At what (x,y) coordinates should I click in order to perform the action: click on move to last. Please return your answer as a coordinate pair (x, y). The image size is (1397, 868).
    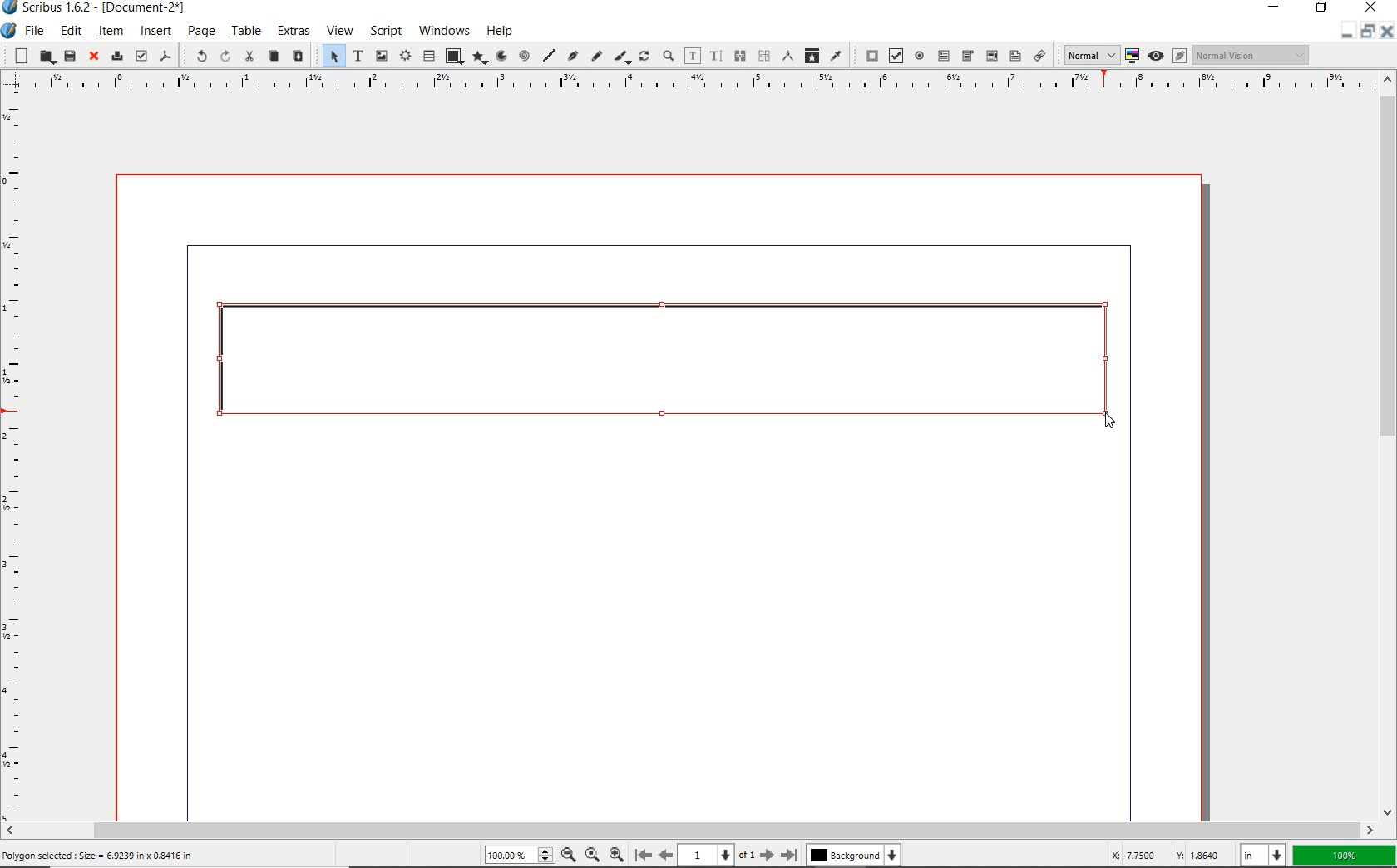
    Looking at the image, I should click on (792, 852).